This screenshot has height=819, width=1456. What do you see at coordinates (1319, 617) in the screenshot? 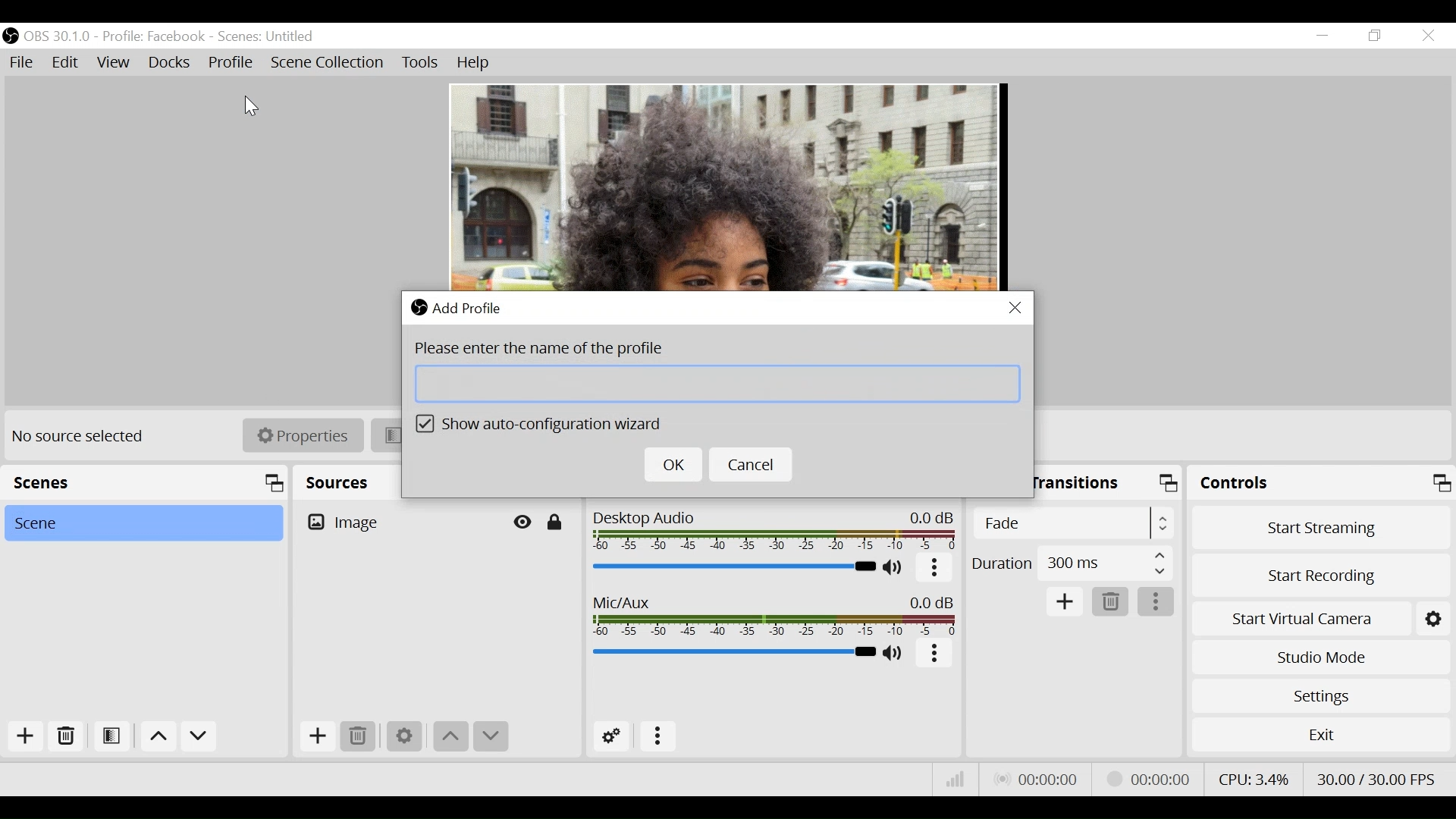
I see `Start Virtual Camera` at bounding box center [1319, 617].